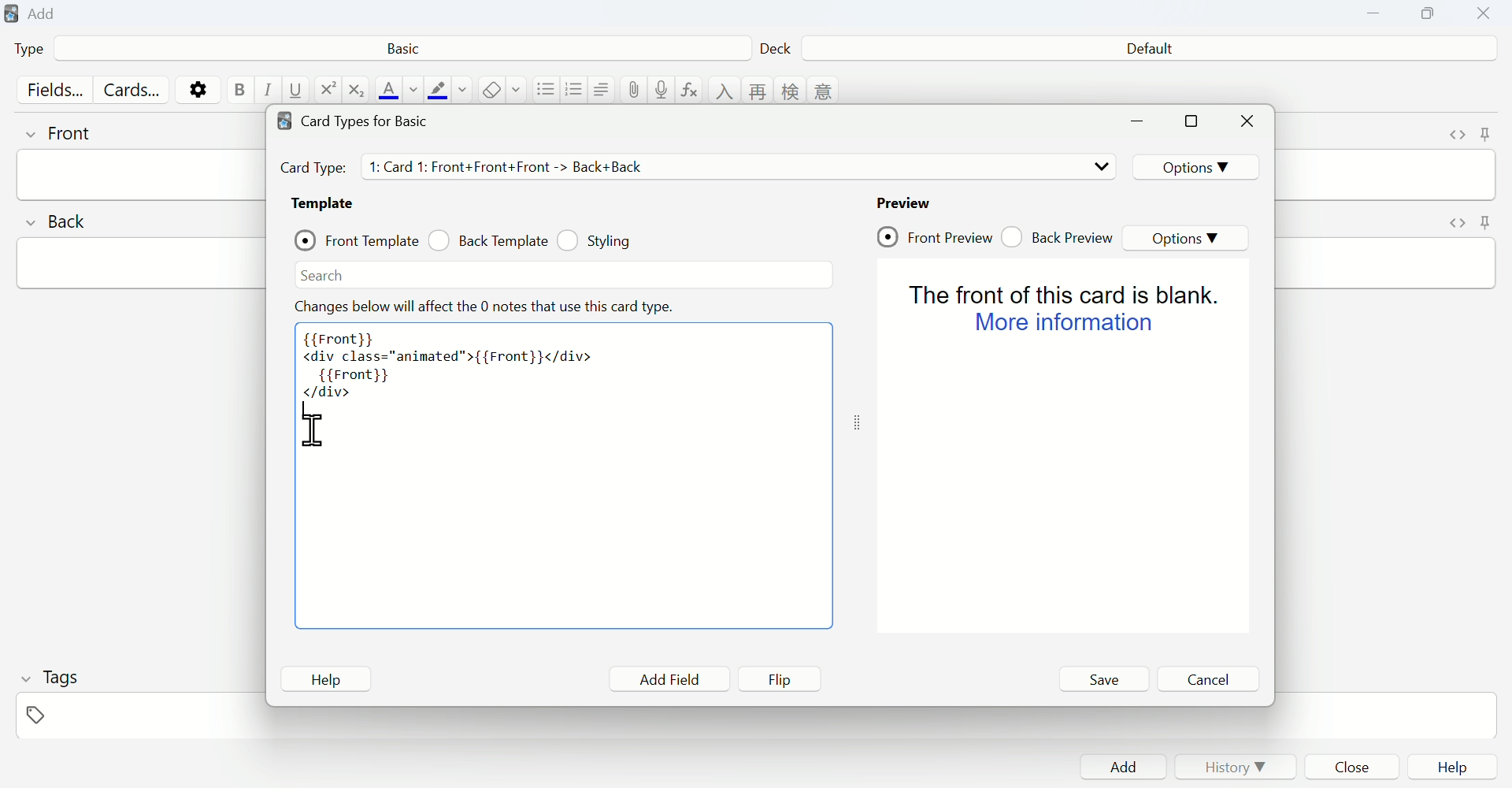 This screenshot has height=788, width=1512. What do you see at coordinates (824, 90) in the screenshot?
I see `language` at bounding box center [824, 90].